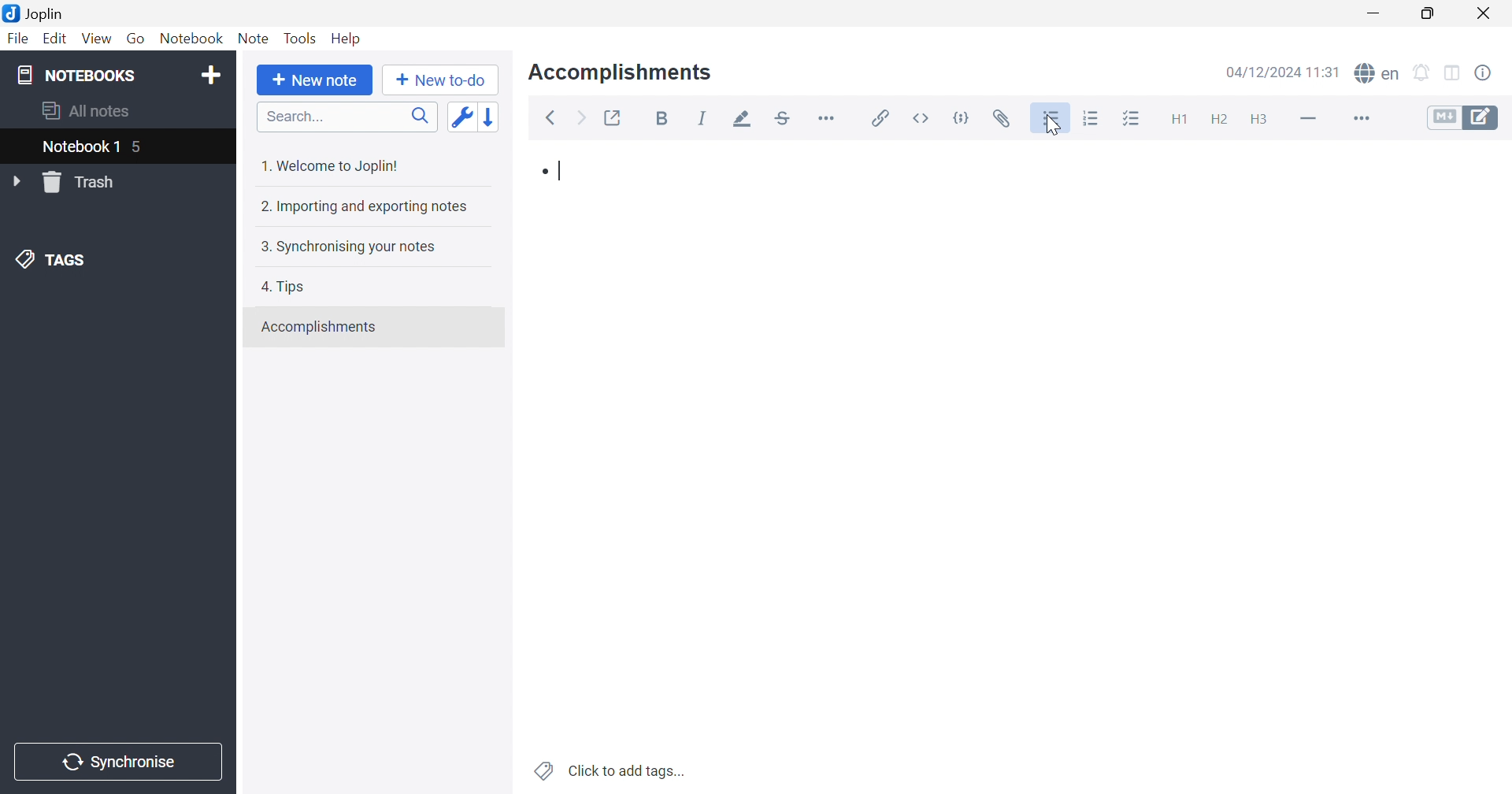 The height and width of the screenshot is (794, 1512). What do you see at coordinates (73, 73) in the screenshot?
I see `NOTEBOOKS` at bounding box center [73, 73].